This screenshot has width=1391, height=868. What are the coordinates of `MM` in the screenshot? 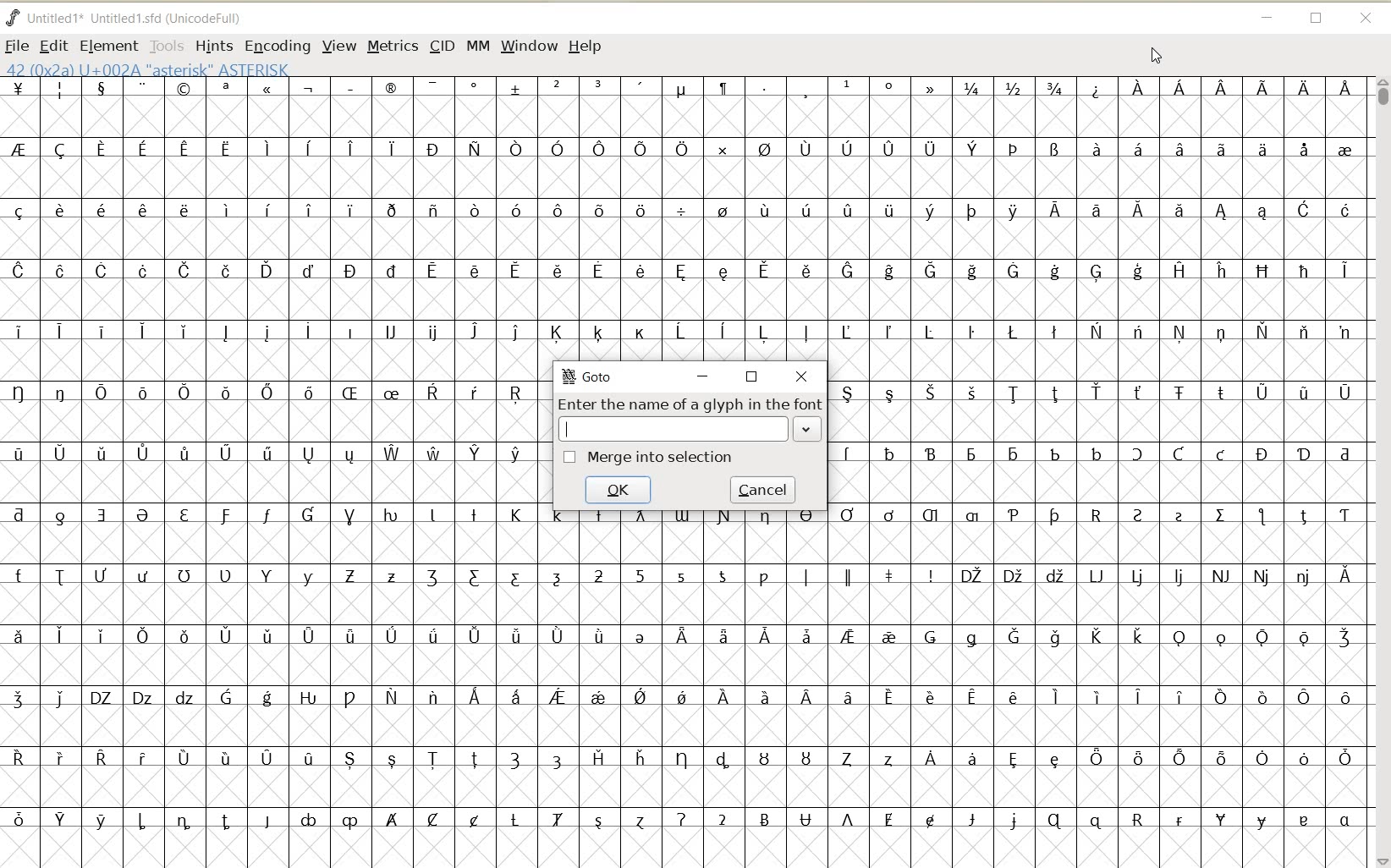 It's located at (477, 47).